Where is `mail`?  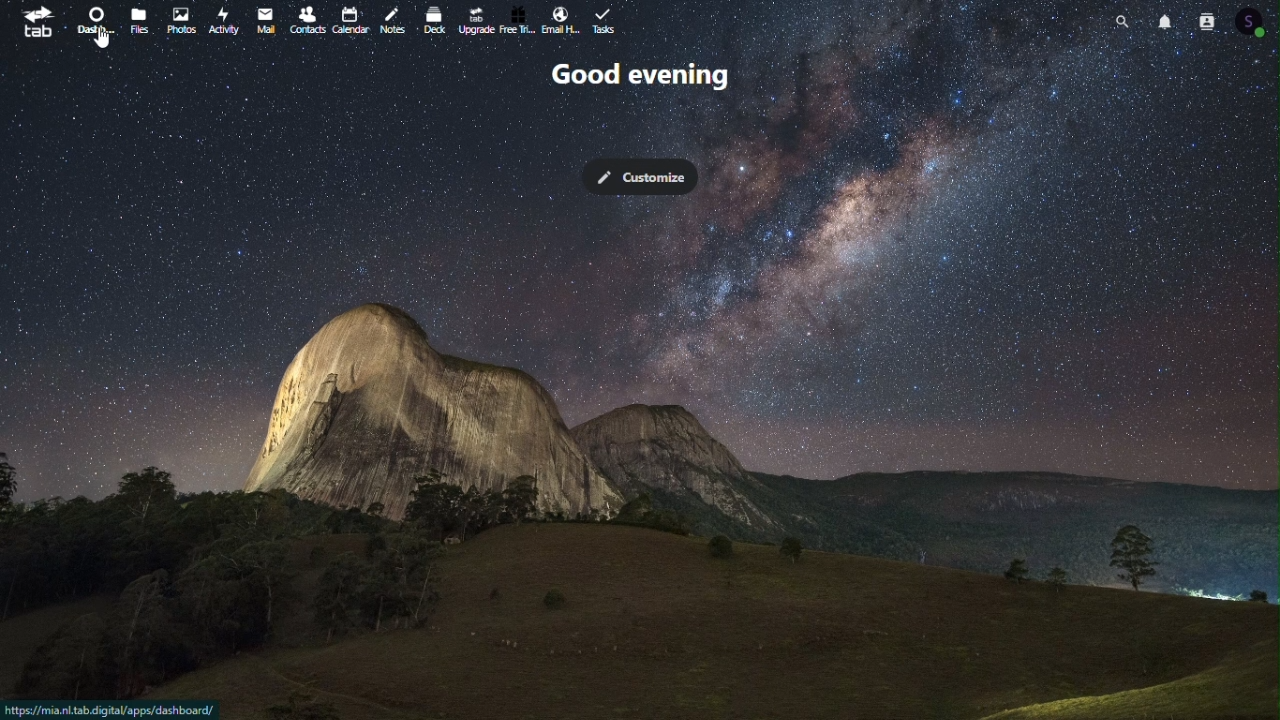
mail is located at coordinates (265, 20).